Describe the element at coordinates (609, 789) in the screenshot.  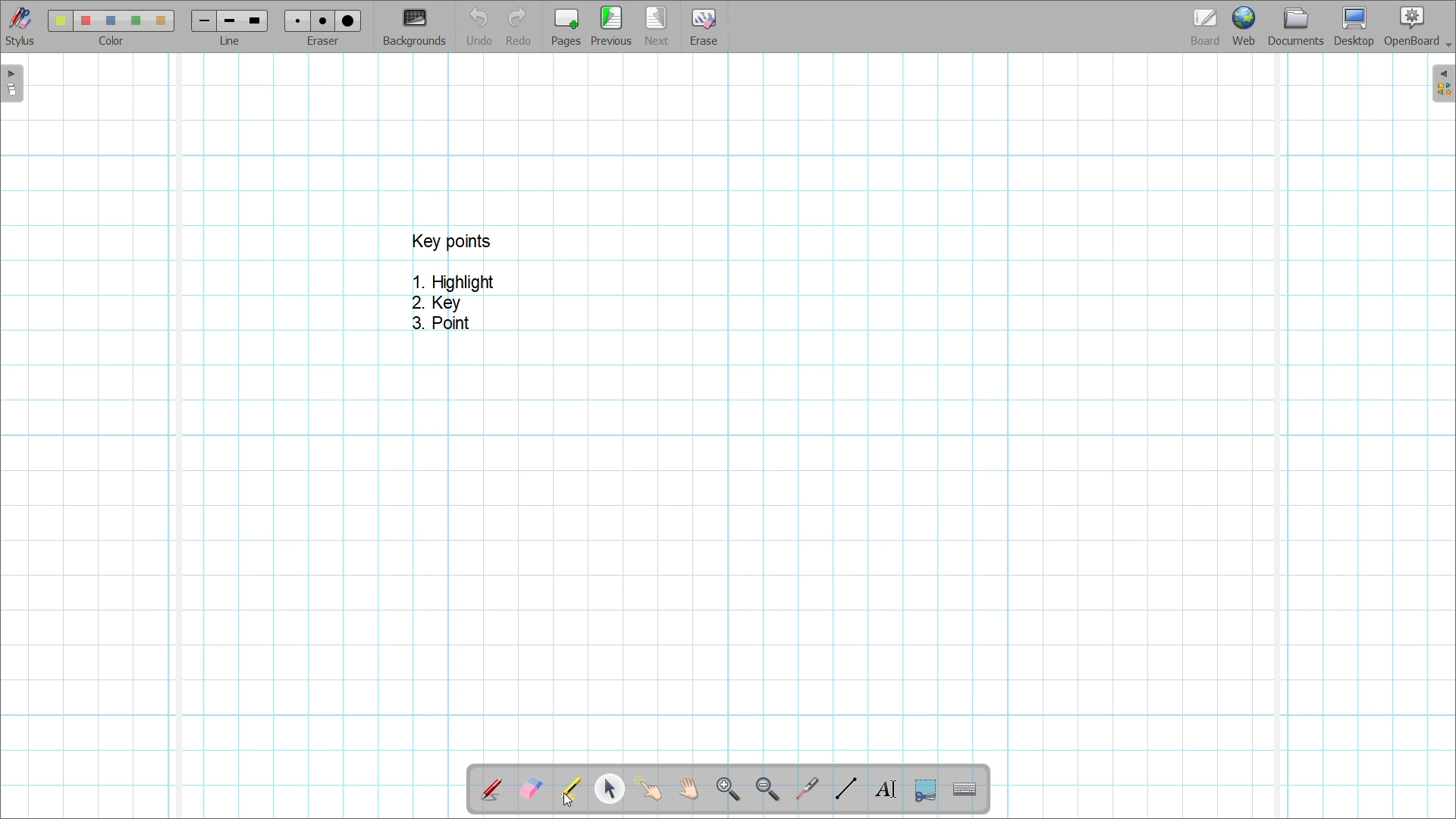
I see `Select and modify objects highlighted` at that location.